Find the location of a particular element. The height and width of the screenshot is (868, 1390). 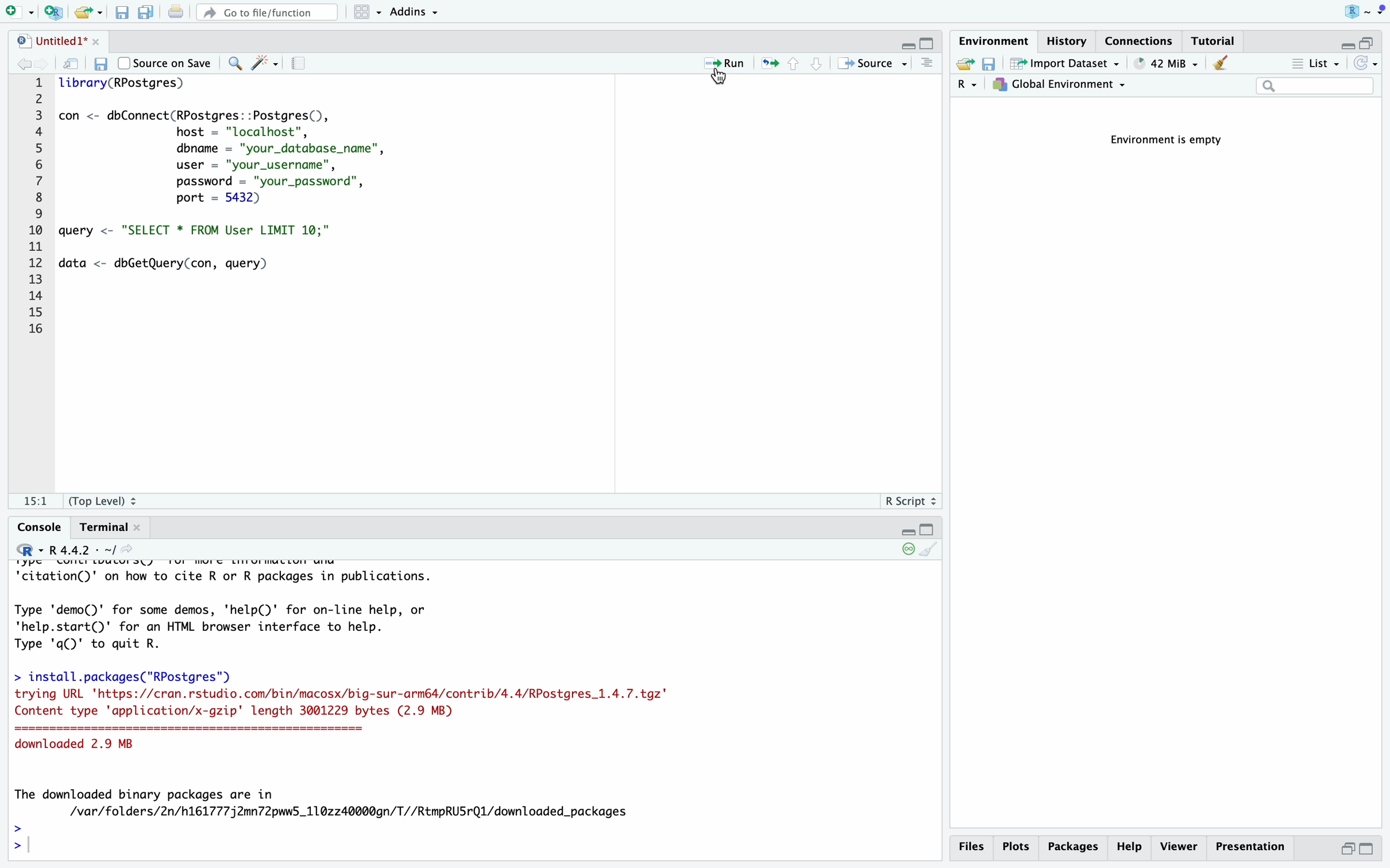

console is located at coordinates (927, 64).